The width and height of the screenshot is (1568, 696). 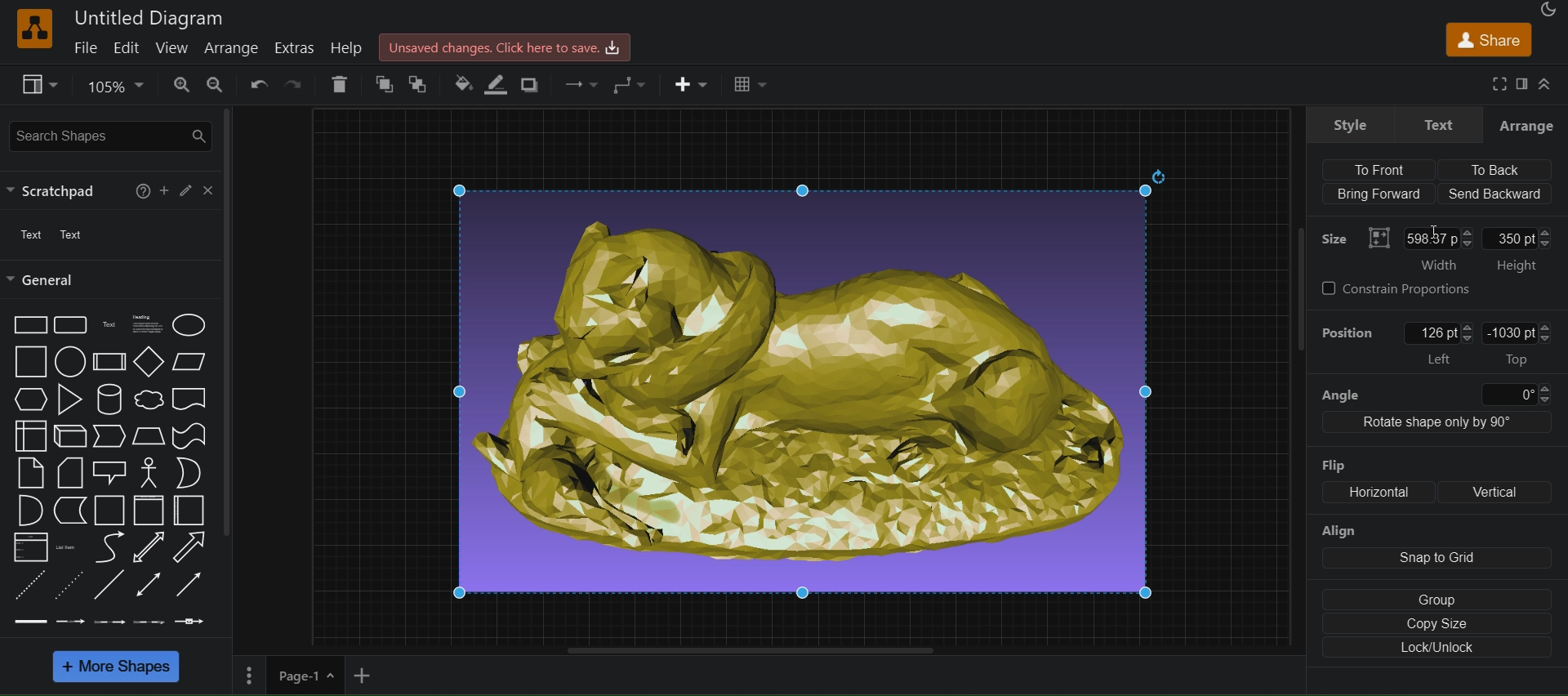 I want to click on arrange, so click(x=233, y=49).